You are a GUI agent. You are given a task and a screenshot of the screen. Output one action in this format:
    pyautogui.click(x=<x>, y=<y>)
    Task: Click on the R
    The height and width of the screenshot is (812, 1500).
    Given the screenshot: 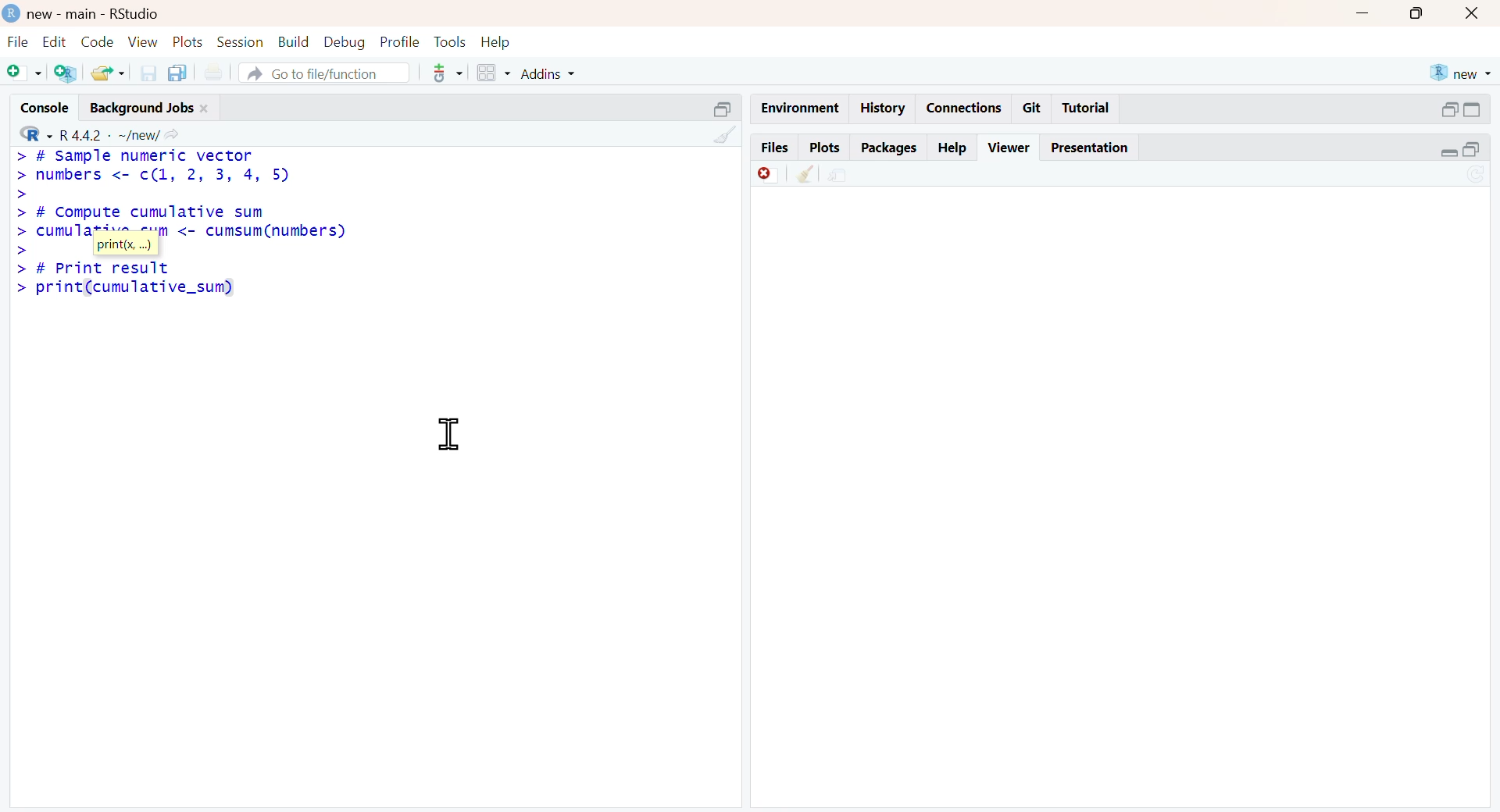 What is the action you would take?
    pyautogui.click(x=37, y=133)
    